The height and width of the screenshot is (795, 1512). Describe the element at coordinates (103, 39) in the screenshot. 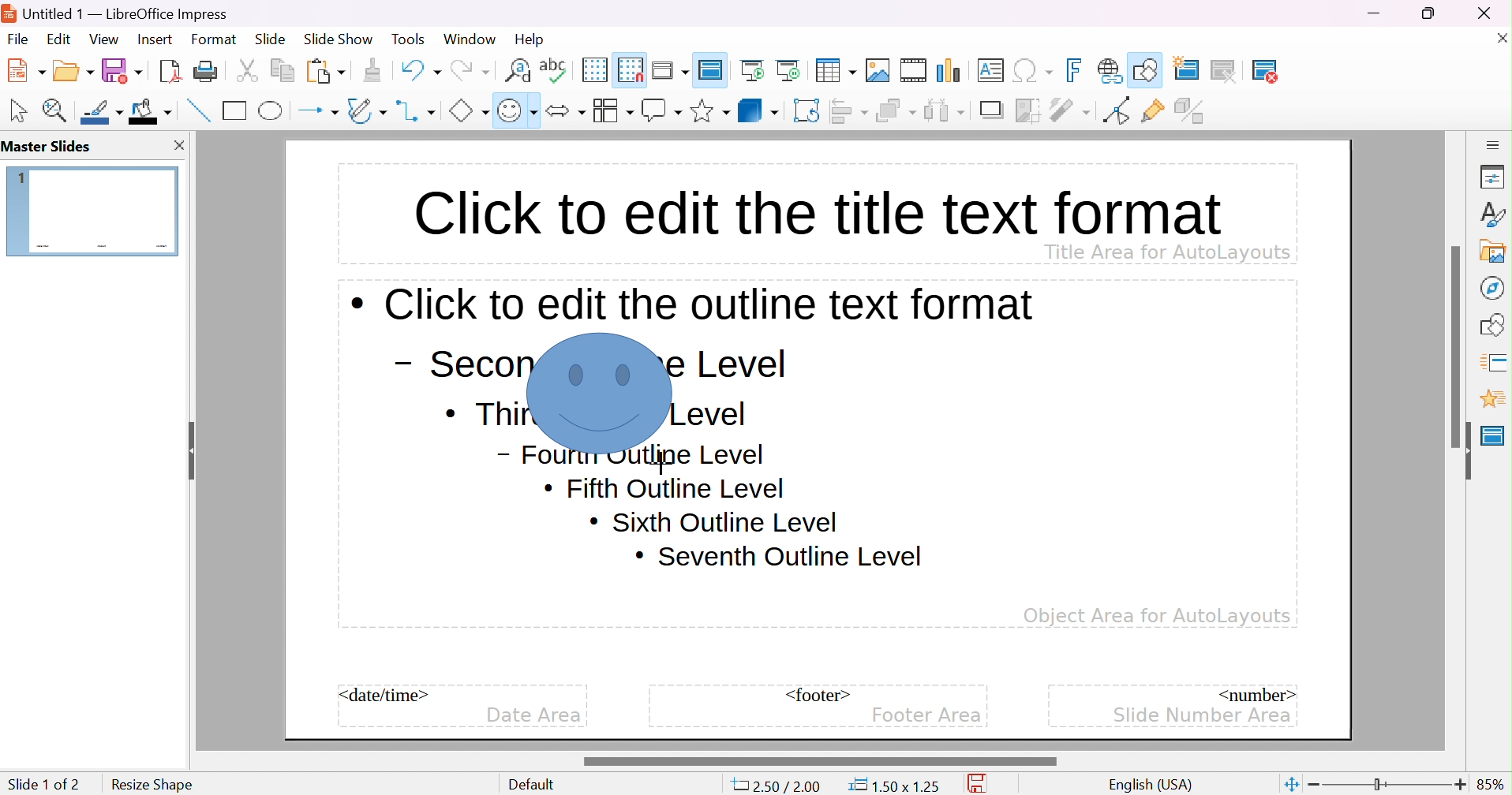

I see `view` at that location.